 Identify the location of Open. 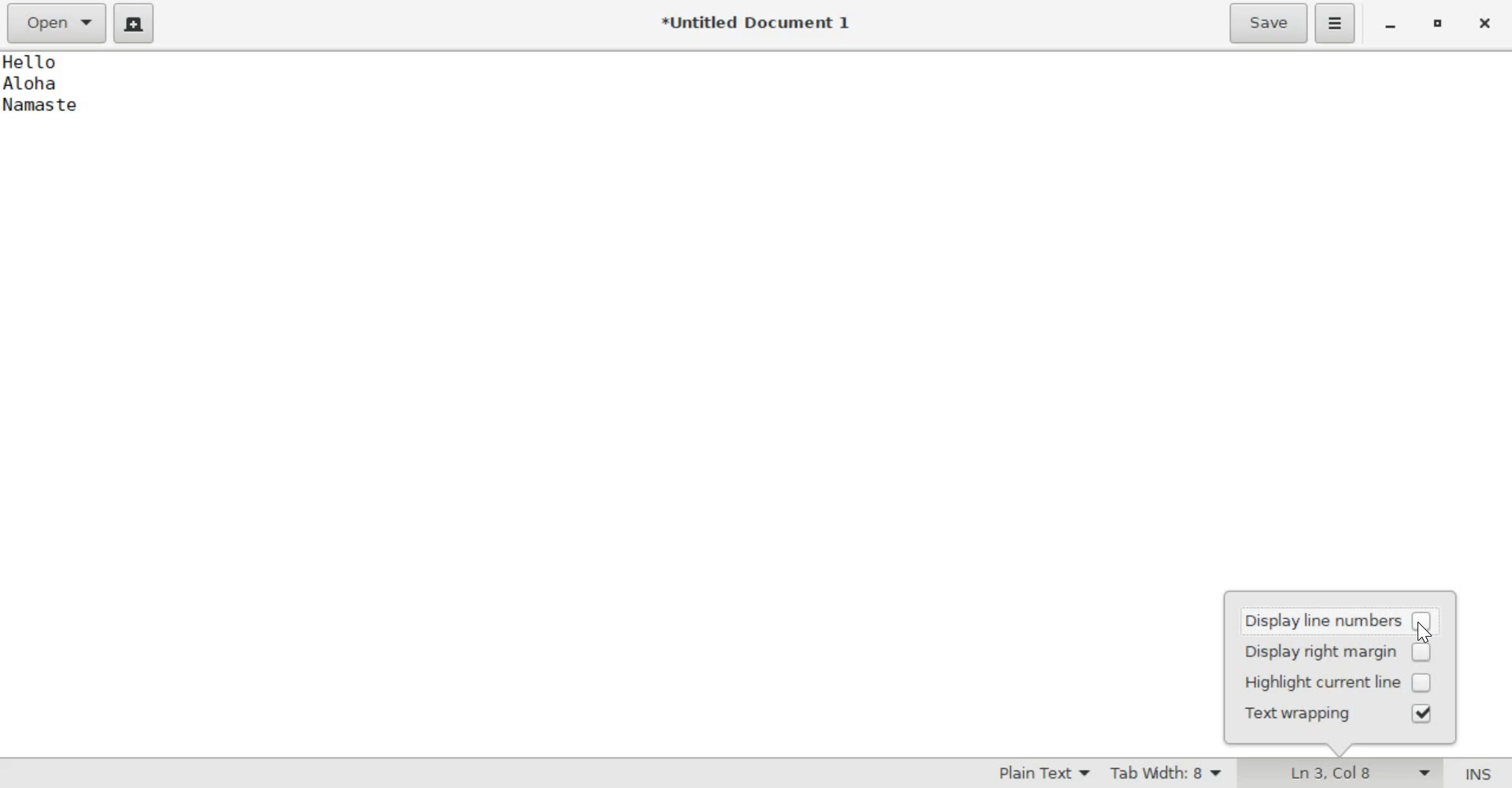
(57, 23).